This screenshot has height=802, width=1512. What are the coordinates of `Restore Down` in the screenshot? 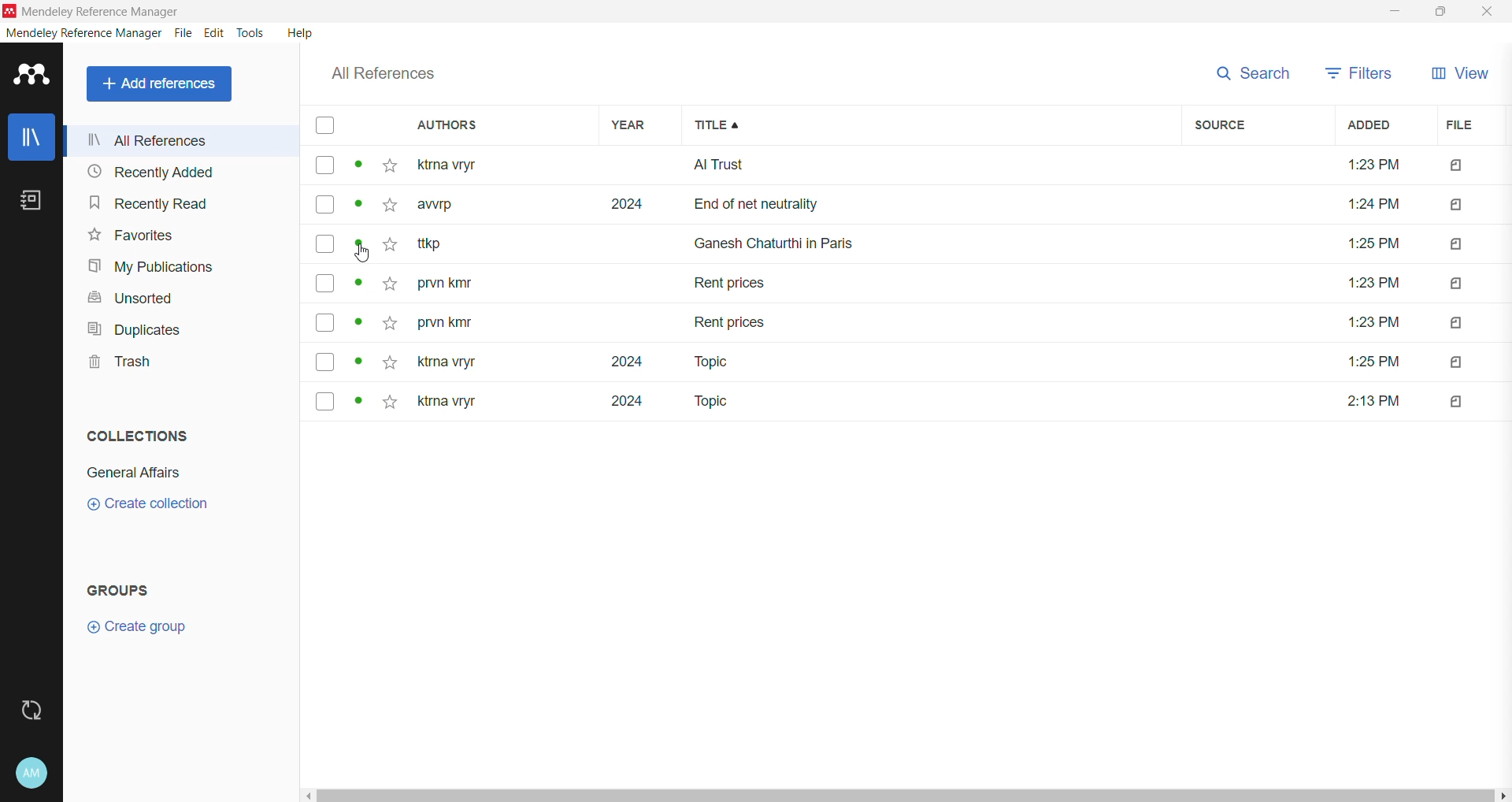 It's located at (1443, 12).